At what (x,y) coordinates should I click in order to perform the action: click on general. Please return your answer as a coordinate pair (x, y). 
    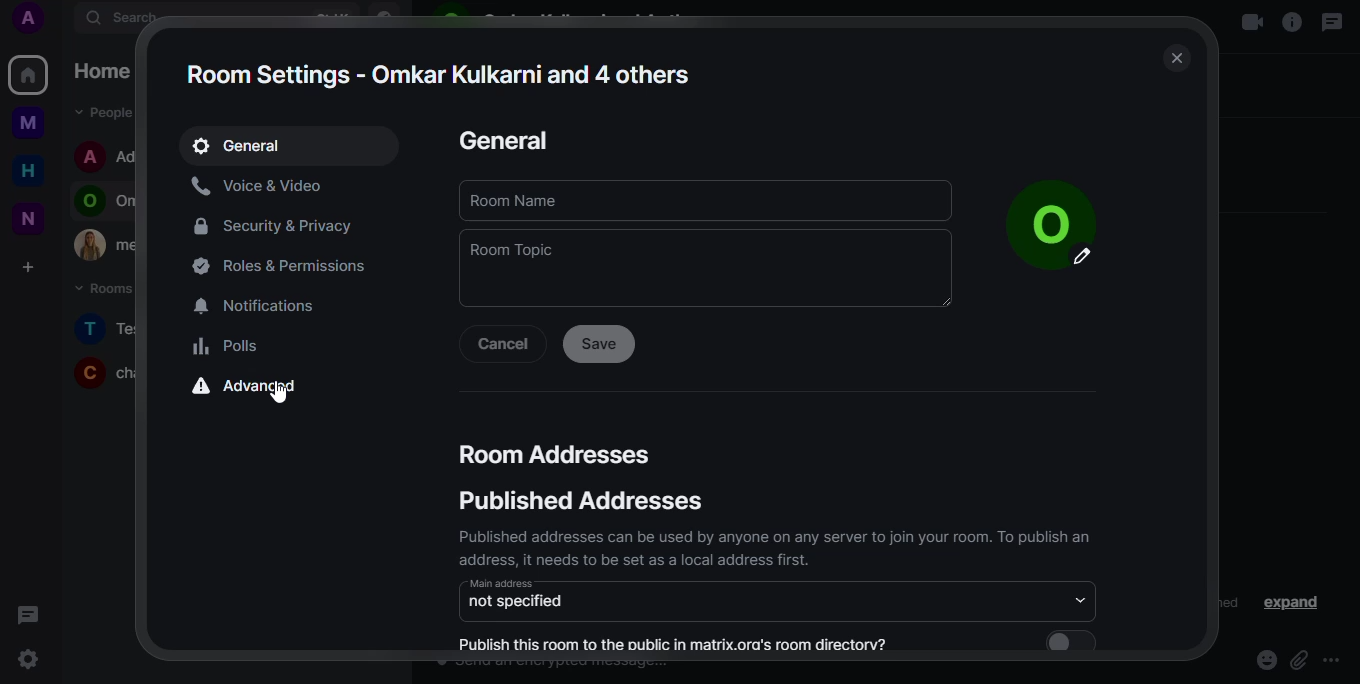
    Looking at the image, I should click on (505, 140).